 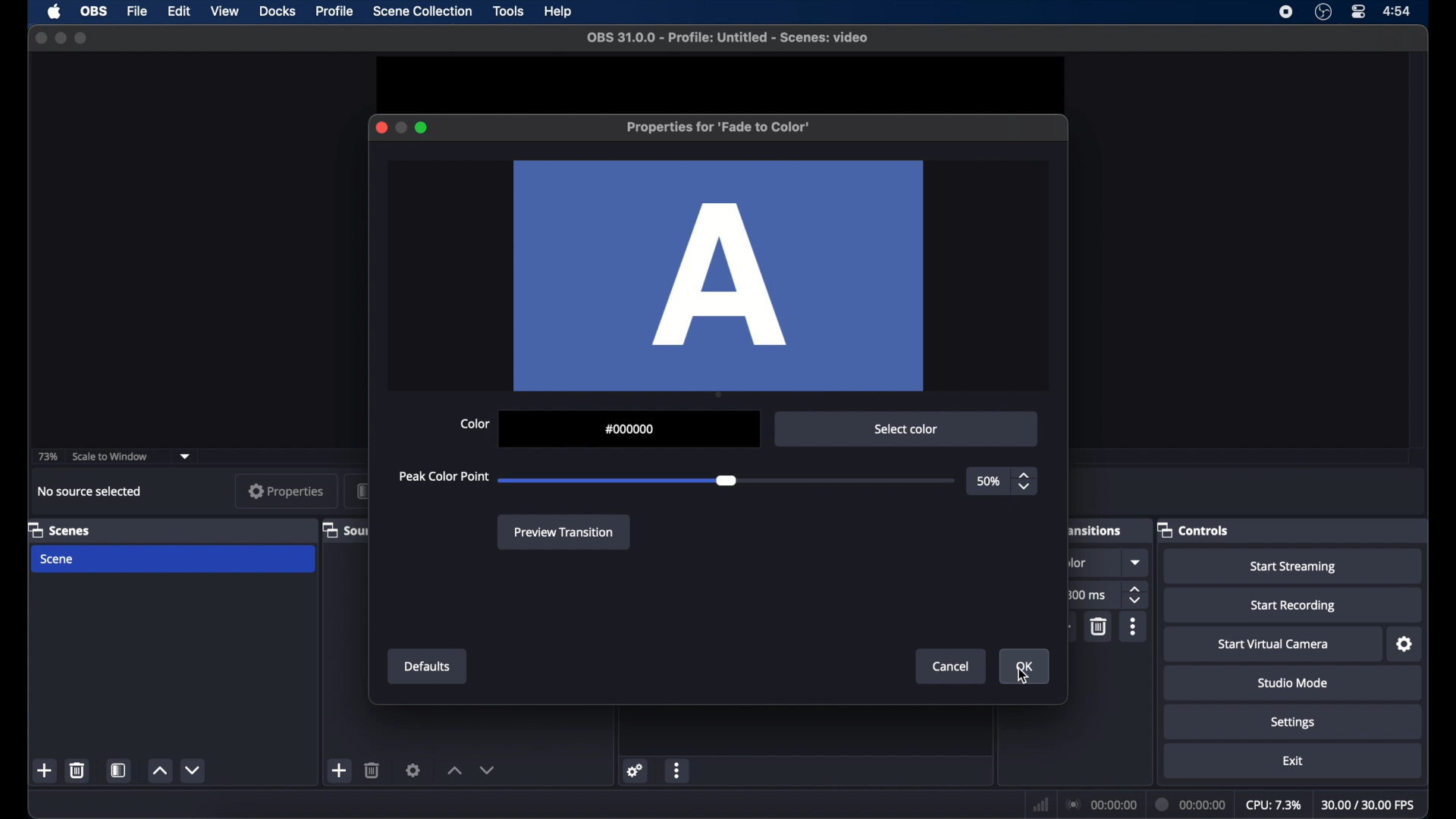 I want to click on docks, so click(x=278, y=11).